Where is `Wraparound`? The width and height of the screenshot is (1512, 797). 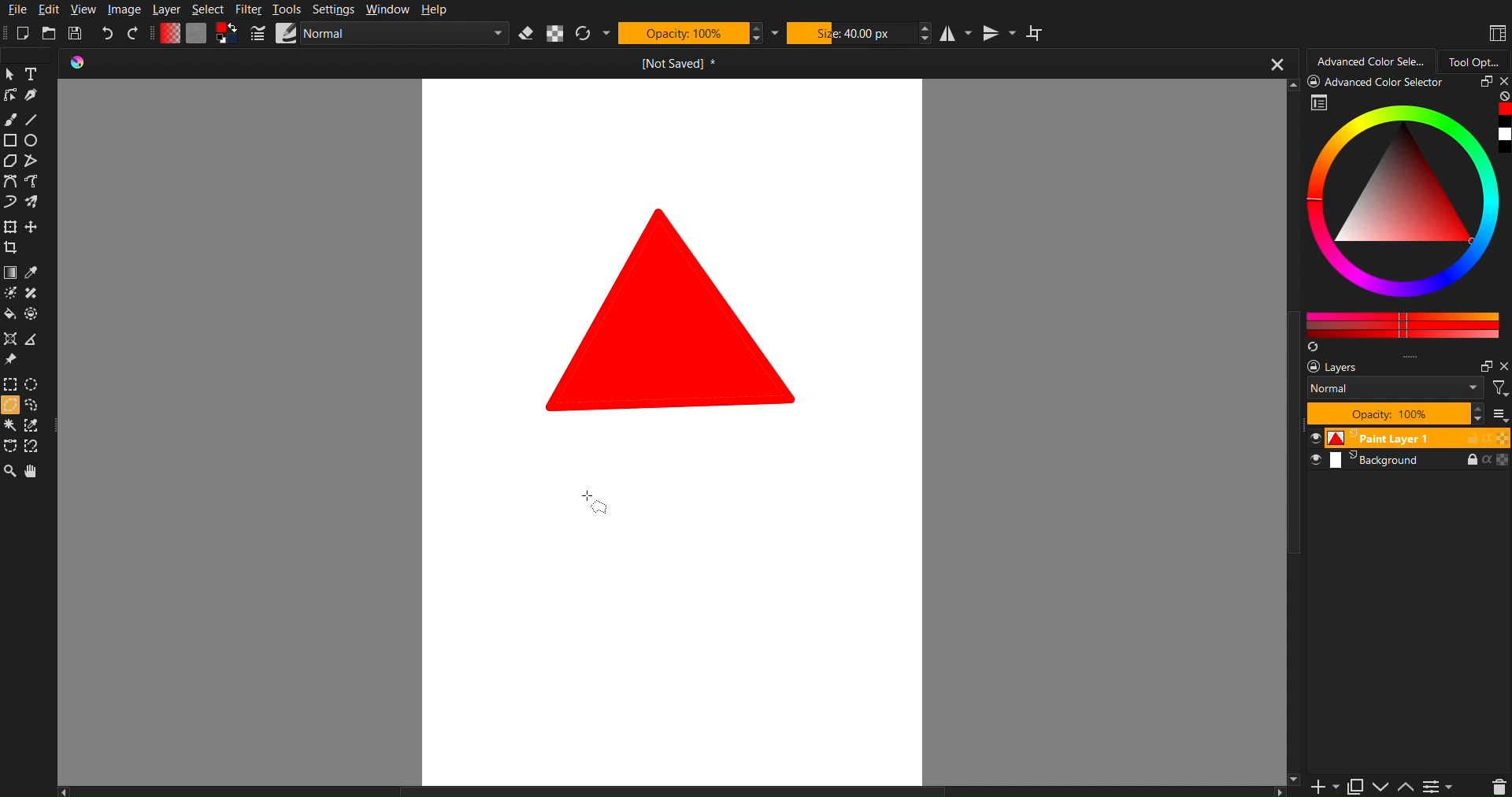 Wraparound is located at coordinates (1037, 33).